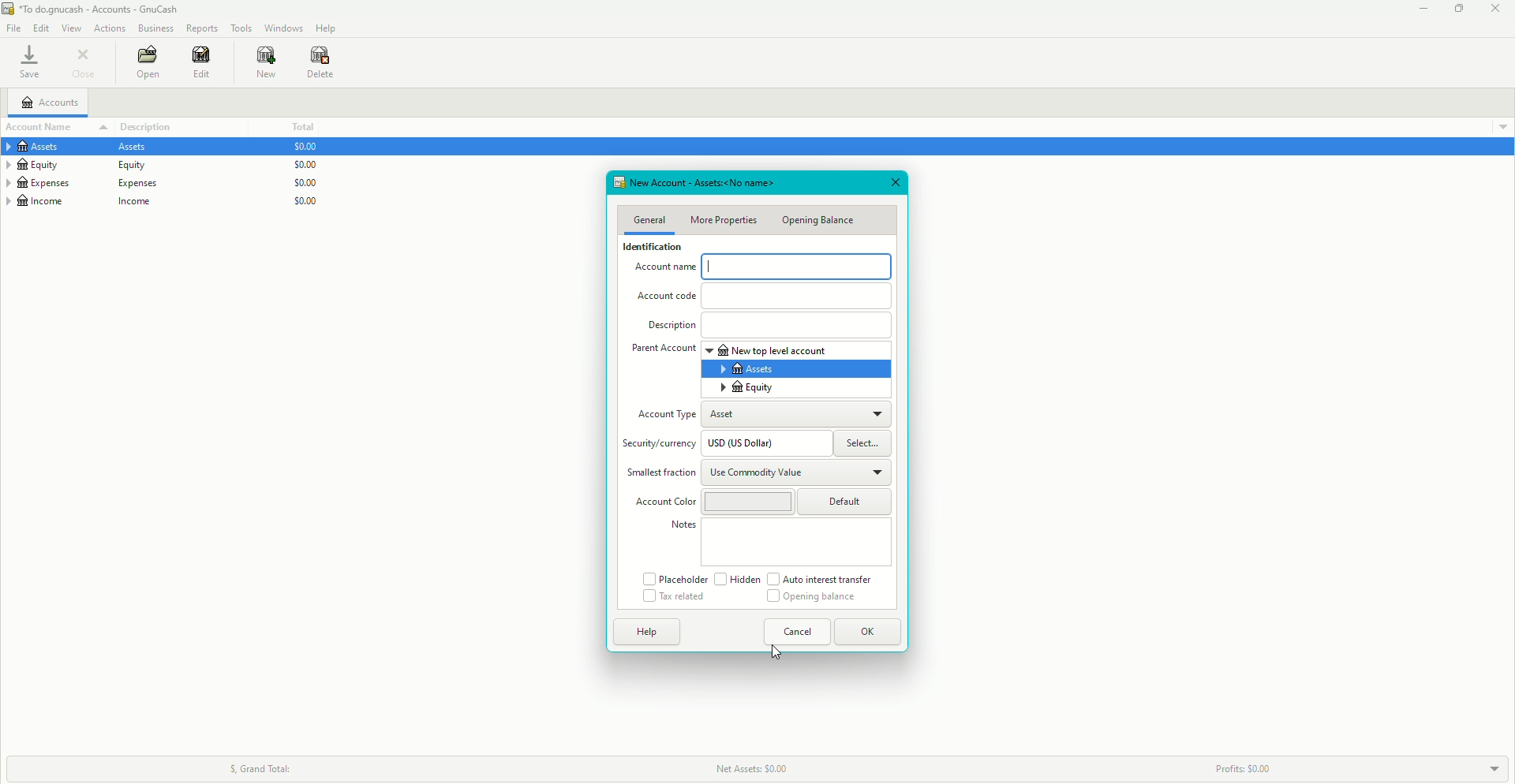  What do you see at coordinates (300, 178) in the screenshot?
I see `$0` at bounding box center [300, 178].